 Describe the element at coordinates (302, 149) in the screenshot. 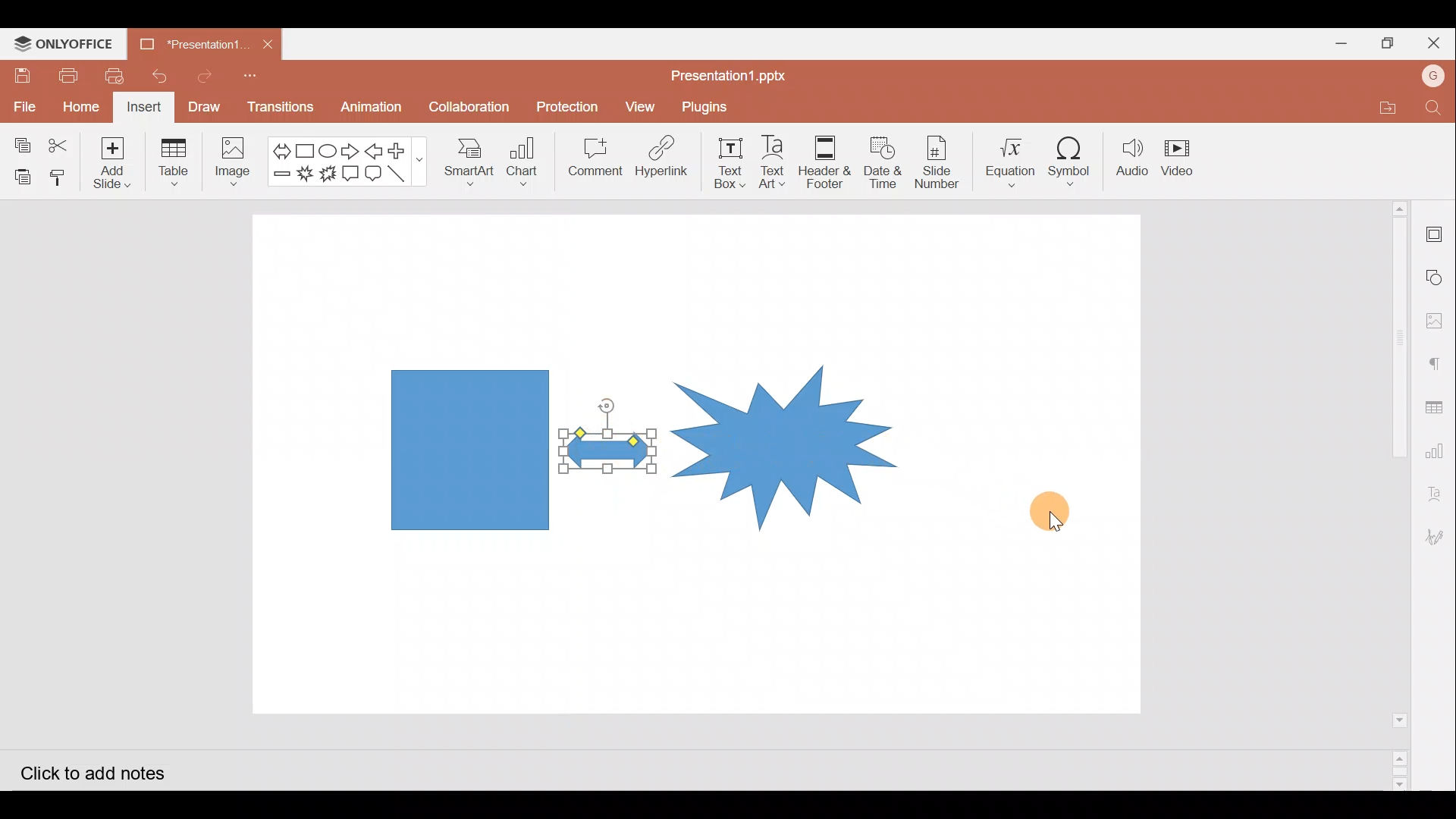

I see `Rectangle` at that location.